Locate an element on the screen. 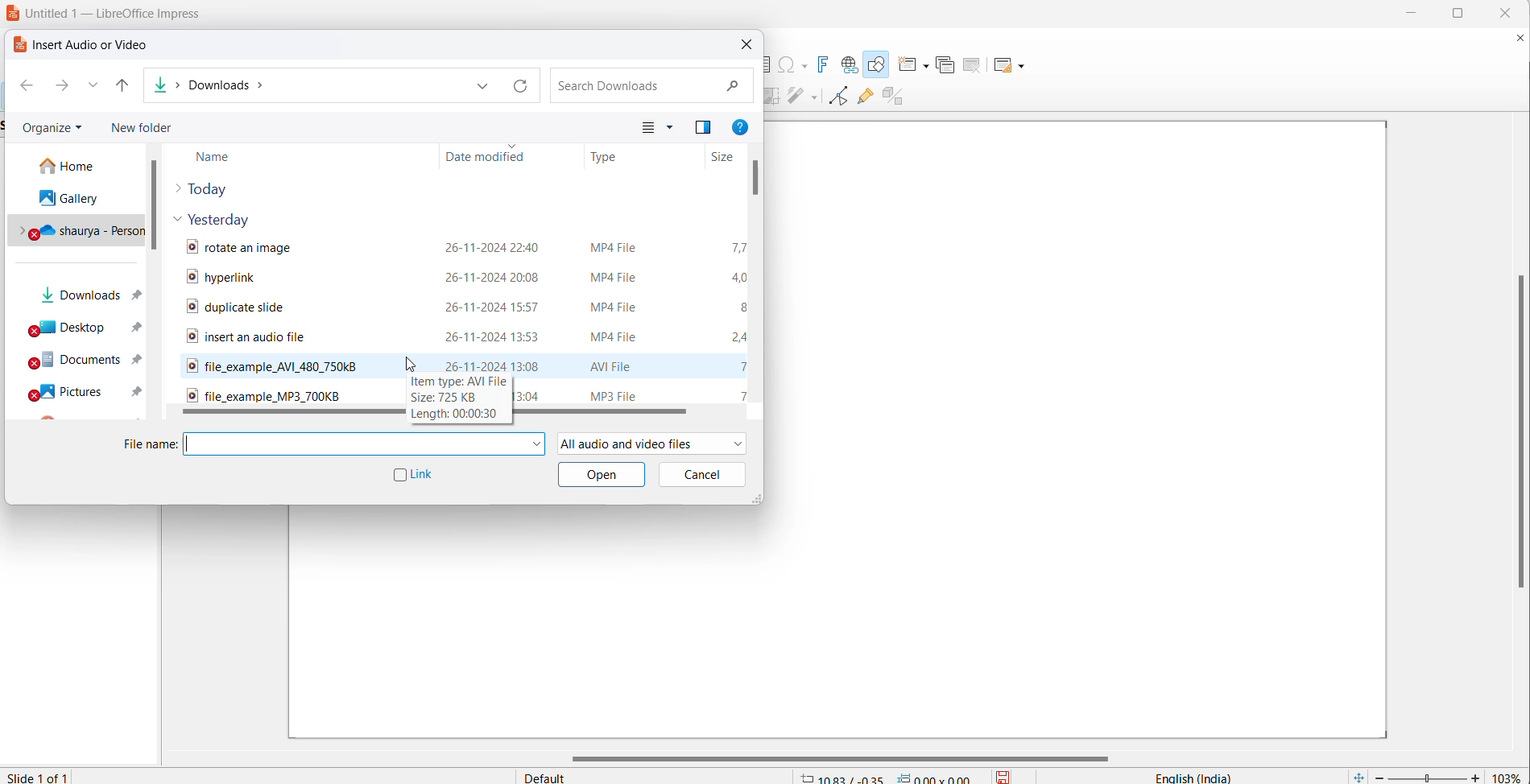 The height and width of the screenshot is (784, 1530). up to is located at coordinates (124, 85).